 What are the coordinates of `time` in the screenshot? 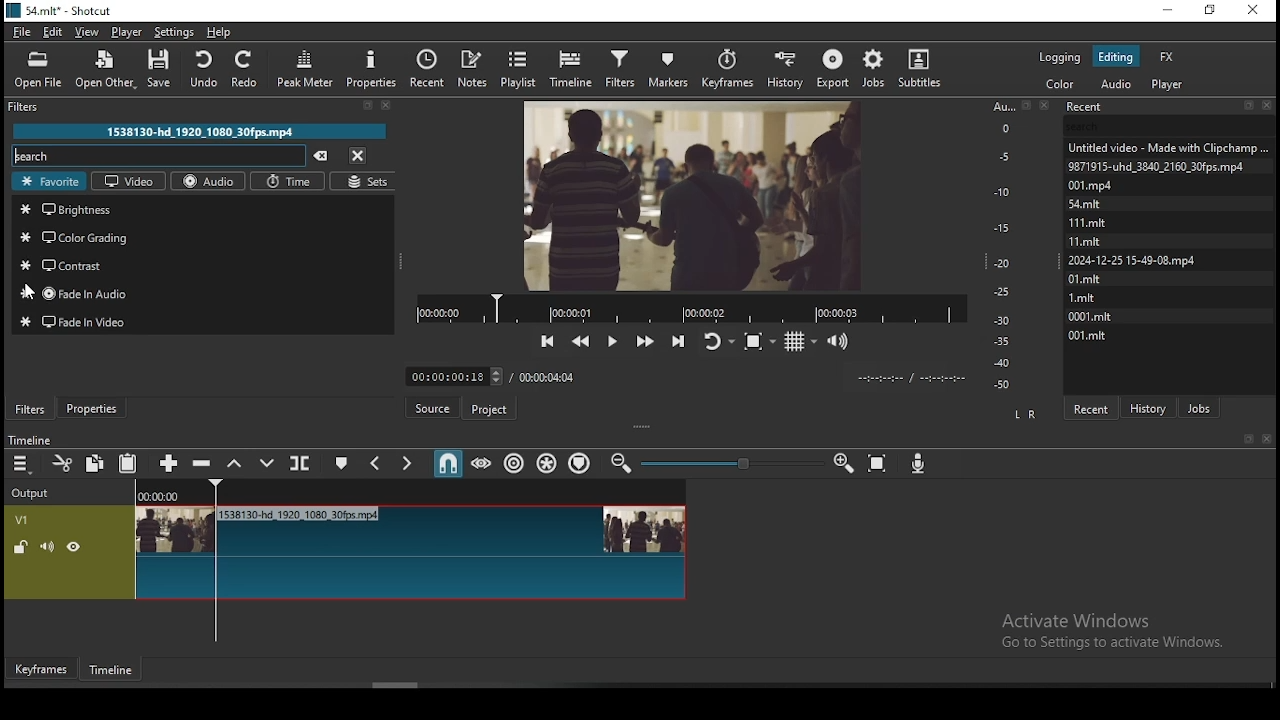 It's located at (285, 182).